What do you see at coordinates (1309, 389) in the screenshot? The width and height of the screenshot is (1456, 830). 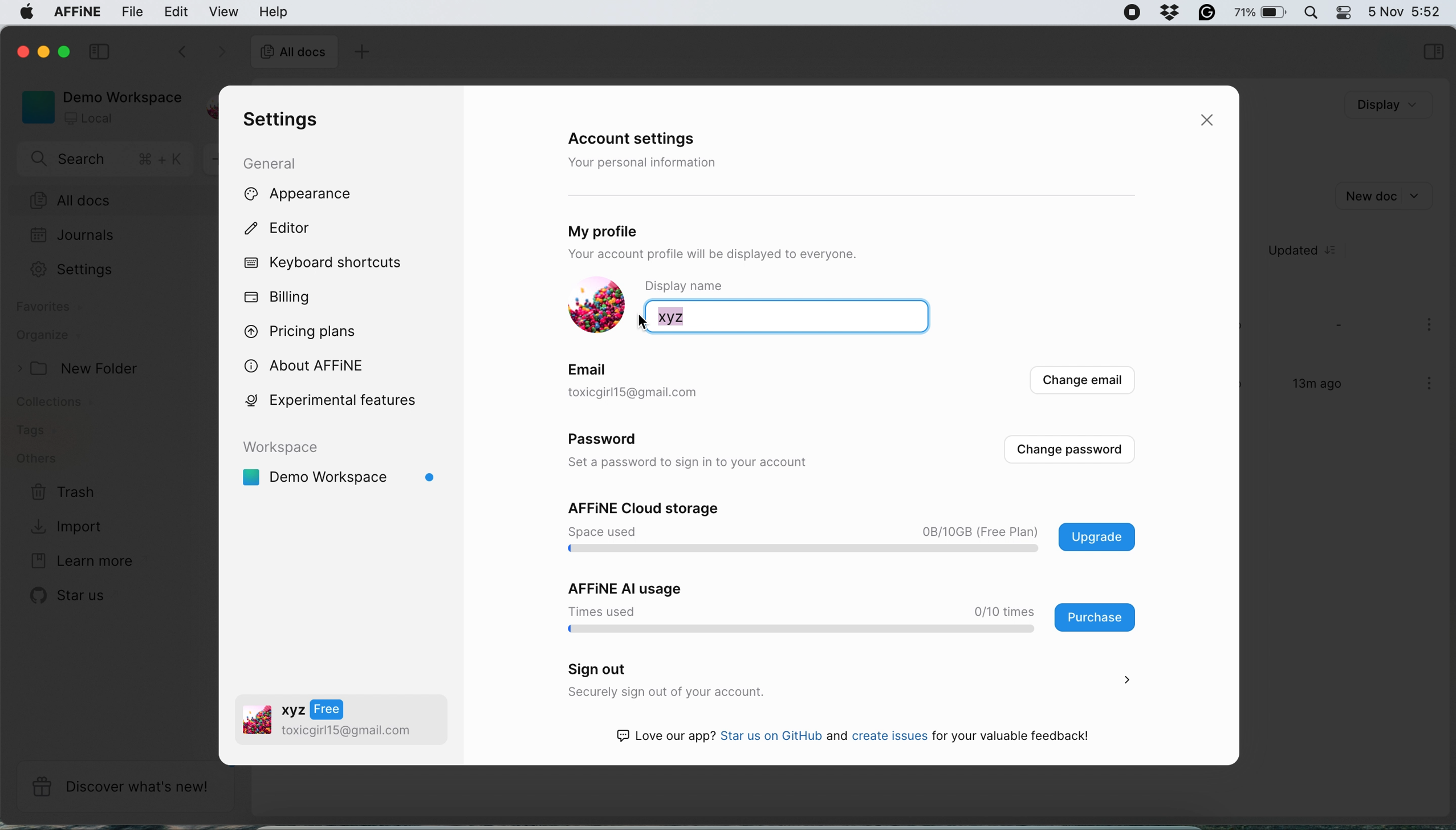 I see `13m ago` at bounding box center [1309, 389].